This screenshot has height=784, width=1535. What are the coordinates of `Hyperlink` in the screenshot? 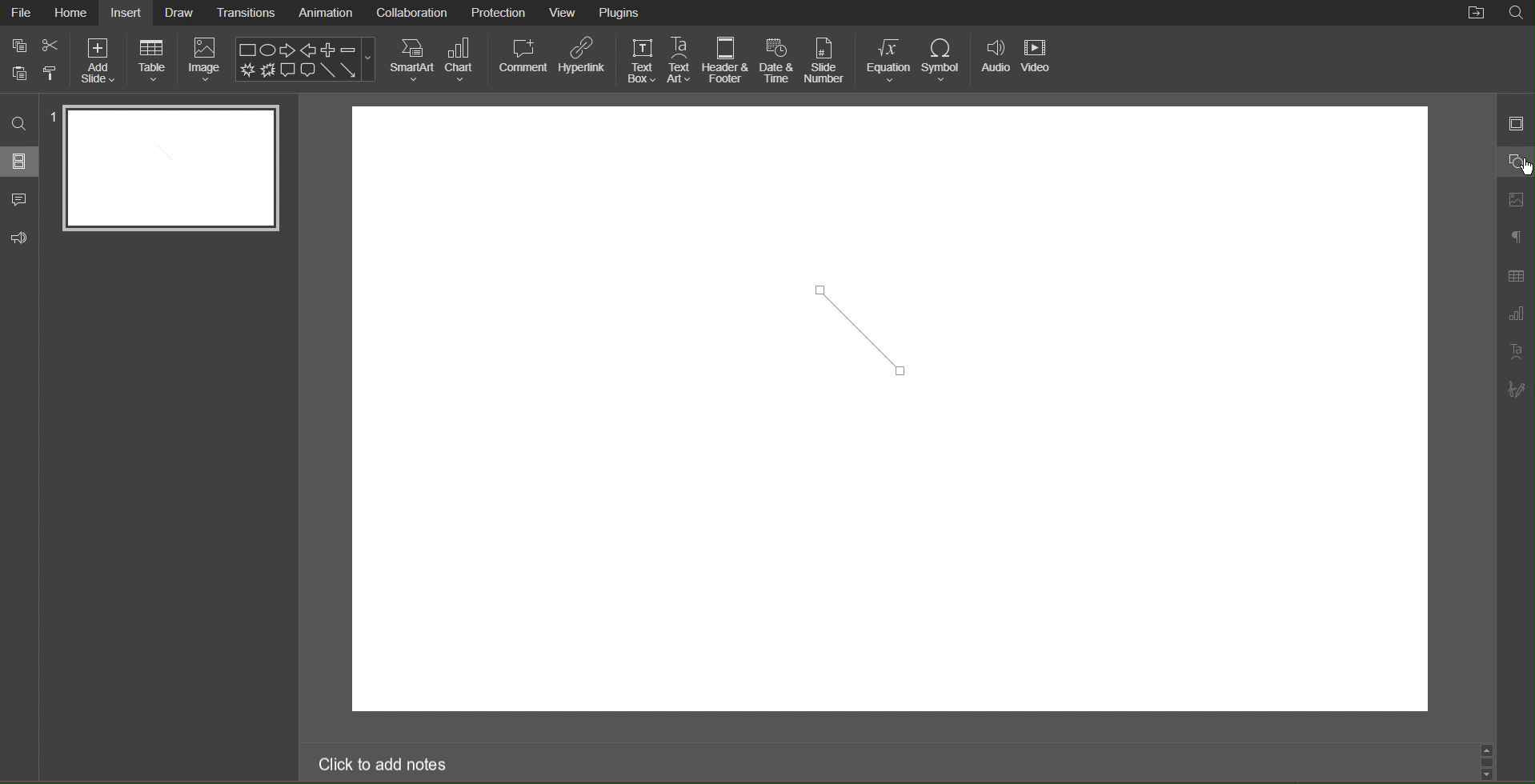 It's located at (582, 61).